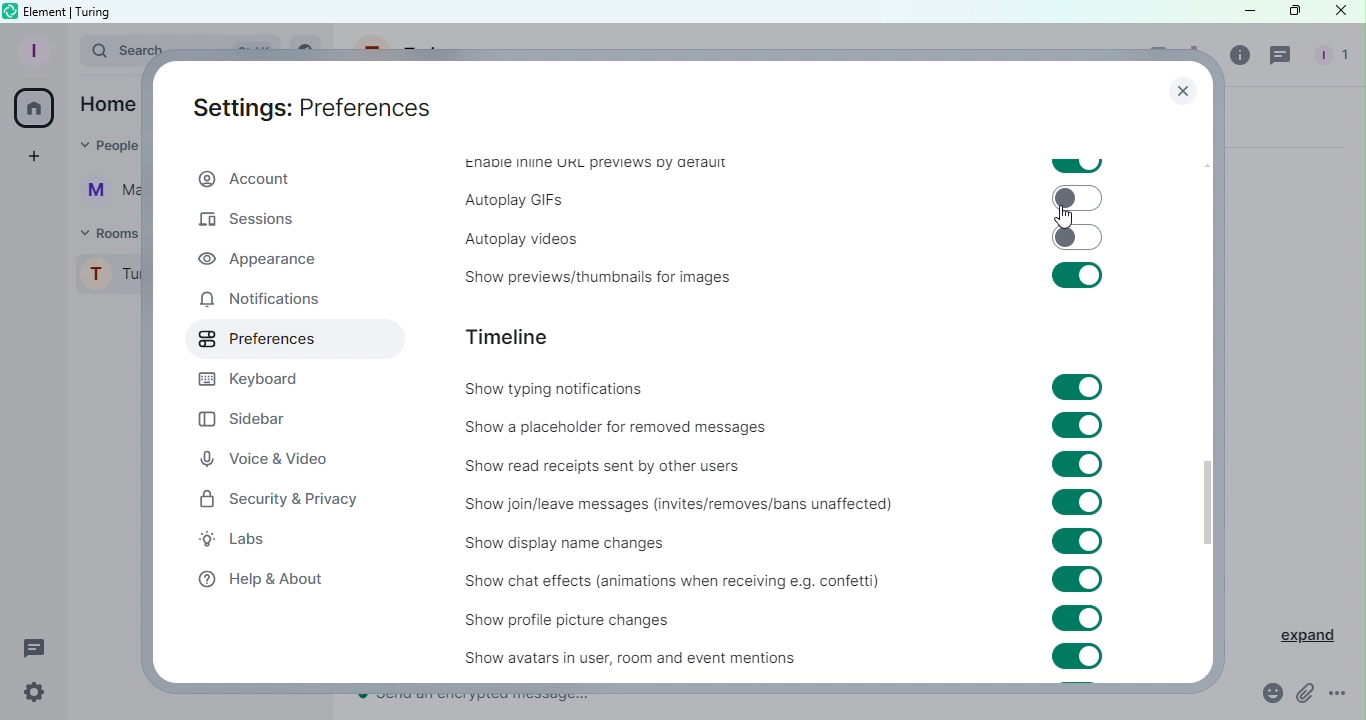 Image resolution: width=1366 pixels, height=720 pixels. I want to click on Close, so click(1179, 94).